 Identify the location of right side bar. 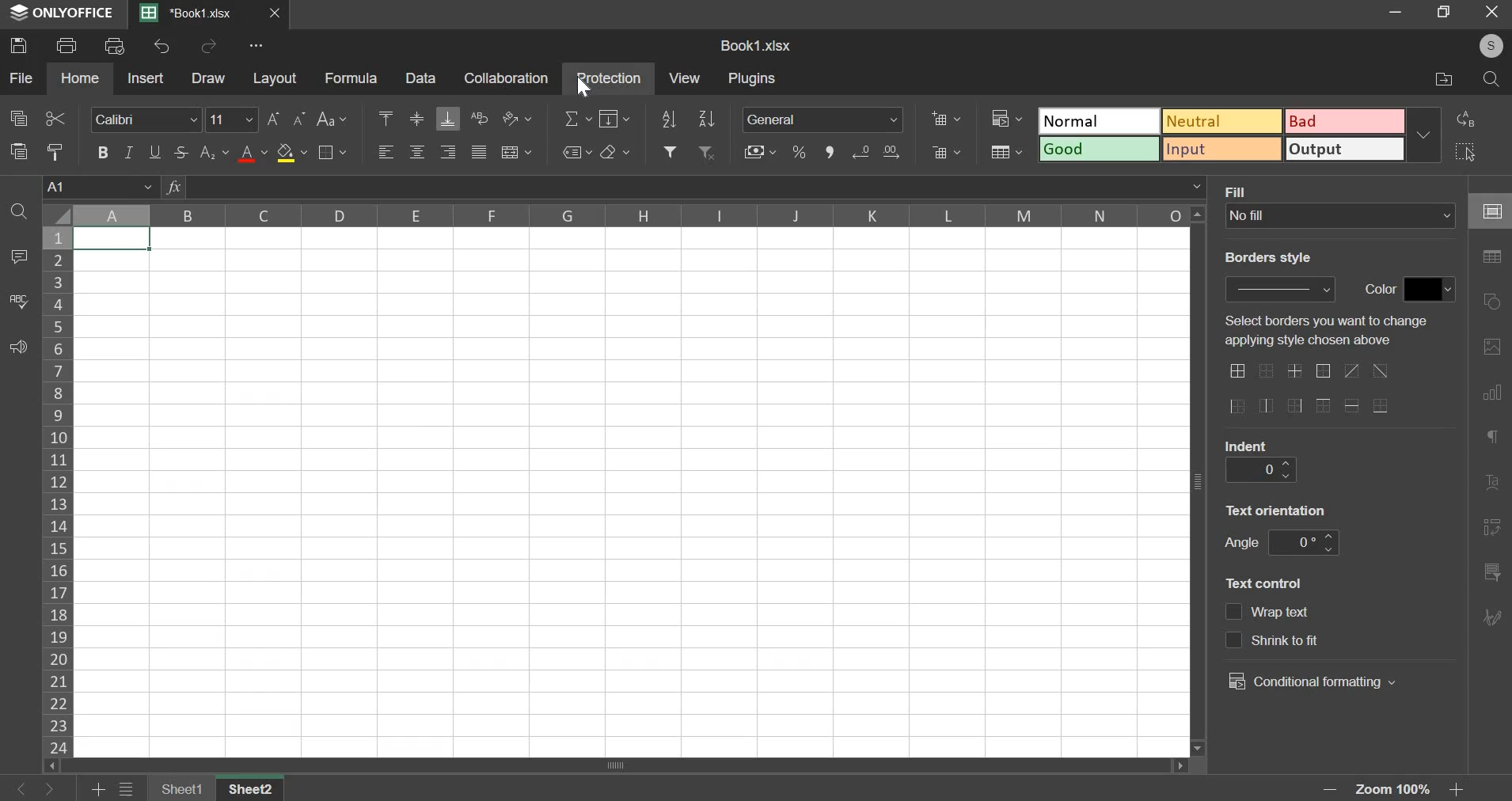
(1496, 211).